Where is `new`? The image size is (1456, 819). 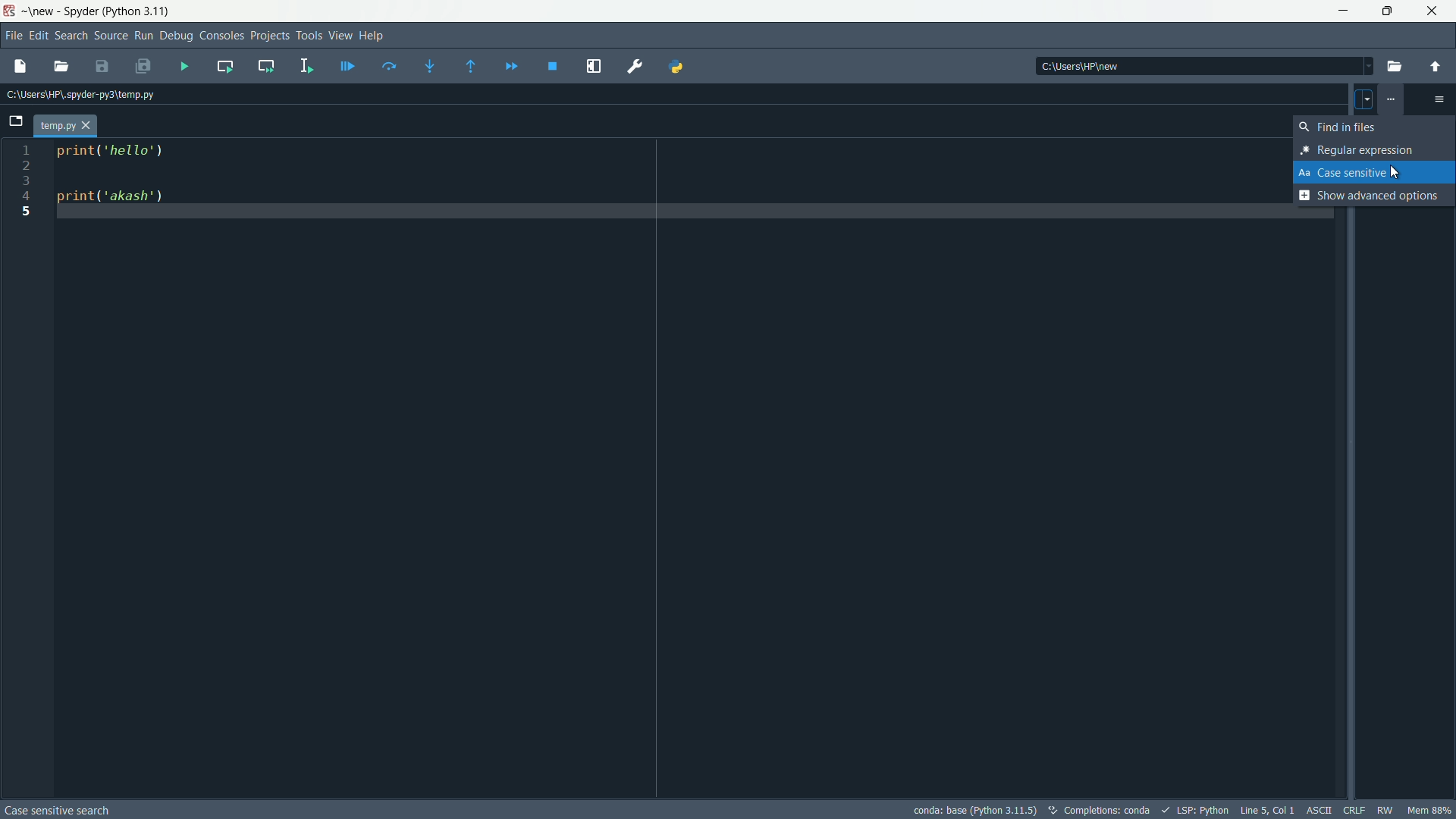 new is located at coordinates (40, 11).